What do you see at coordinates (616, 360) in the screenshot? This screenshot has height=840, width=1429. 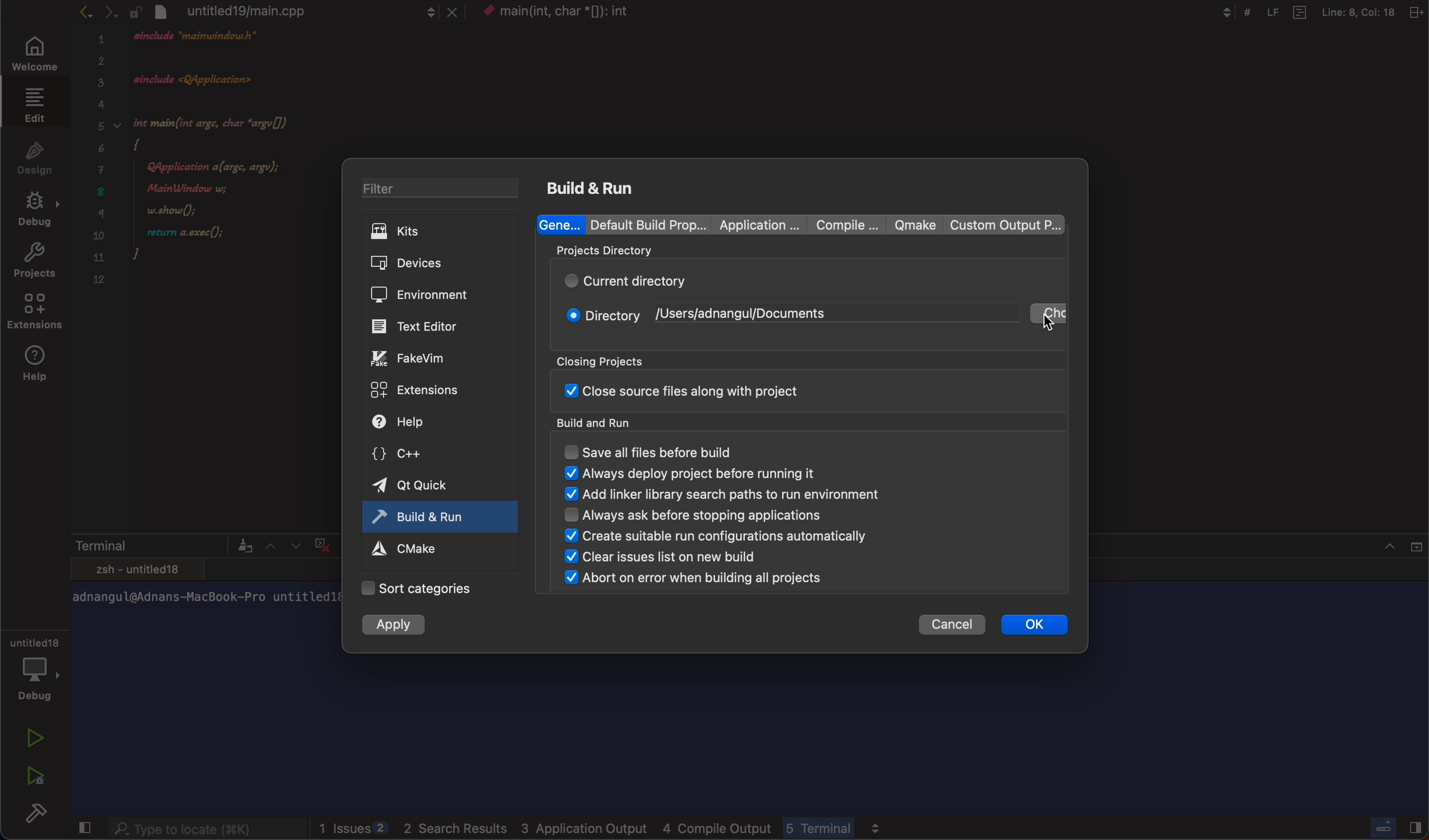 I see `closing projects` at bounding box center [616, 360].